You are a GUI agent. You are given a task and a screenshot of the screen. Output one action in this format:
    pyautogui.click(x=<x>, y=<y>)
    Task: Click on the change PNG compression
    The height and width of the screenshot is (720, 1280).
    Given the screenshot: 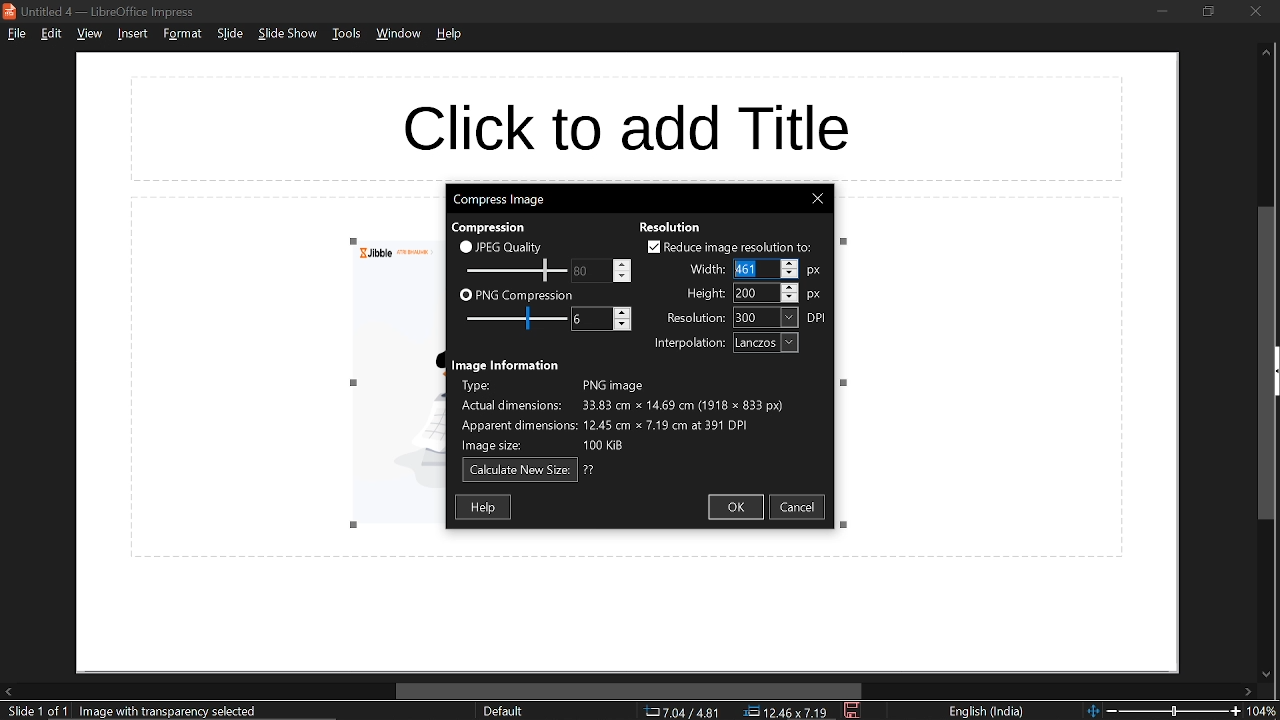 What is the action you would take?
    pyautogui.click(x=582, y=318)
    